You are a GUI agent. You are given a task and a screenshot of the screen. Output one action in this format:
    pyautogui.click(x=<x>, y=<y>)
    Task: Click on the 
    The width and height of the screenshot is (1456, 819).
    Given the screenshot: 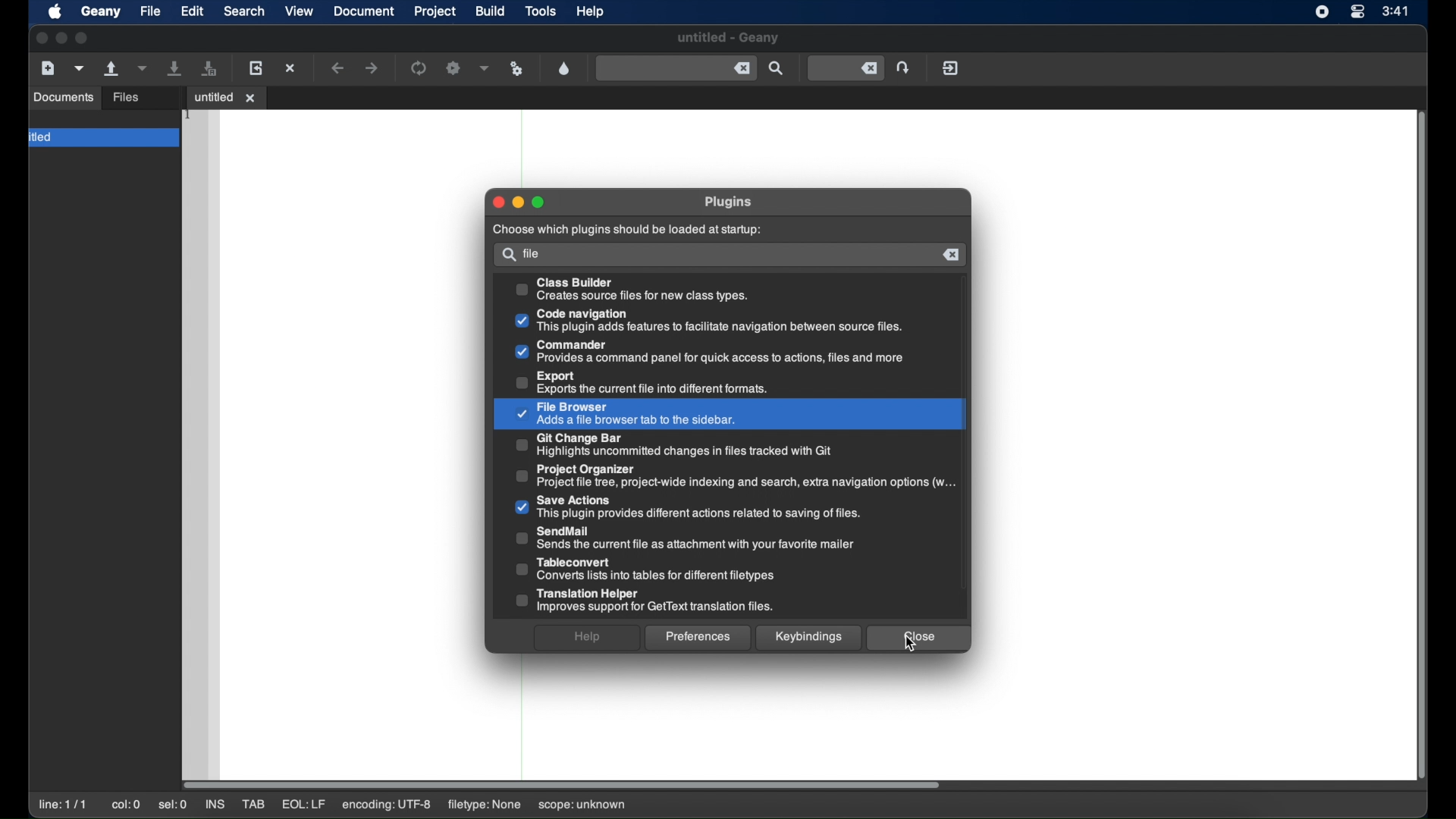 What is the action you would take?
    pyautogui.click(x=918, y=639)
    